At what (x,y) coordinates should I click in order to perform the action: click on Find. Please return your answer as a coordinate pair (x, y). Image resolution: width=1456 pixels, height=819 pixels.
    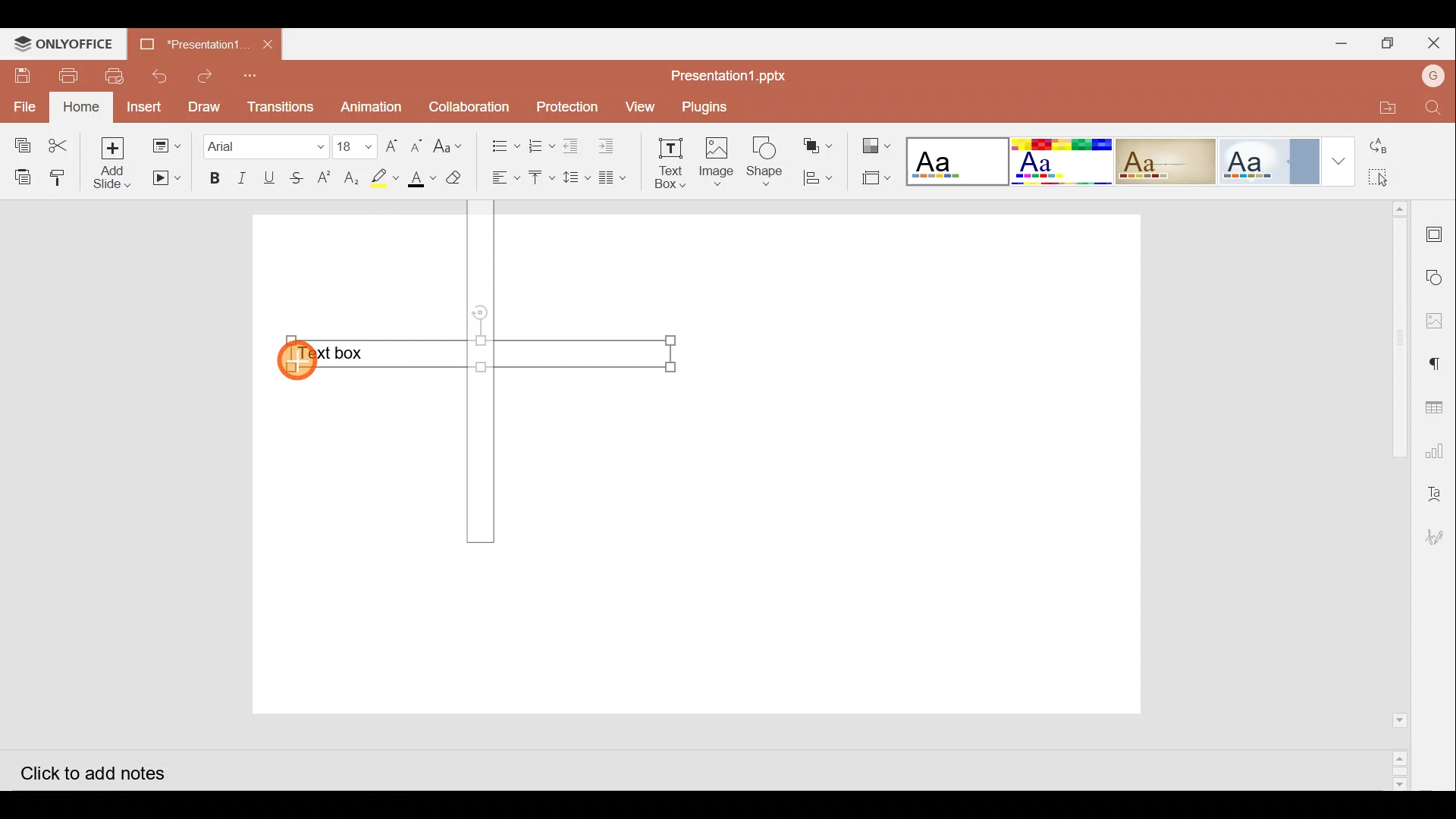
    Looking at the image, I should click on (1433, 109).